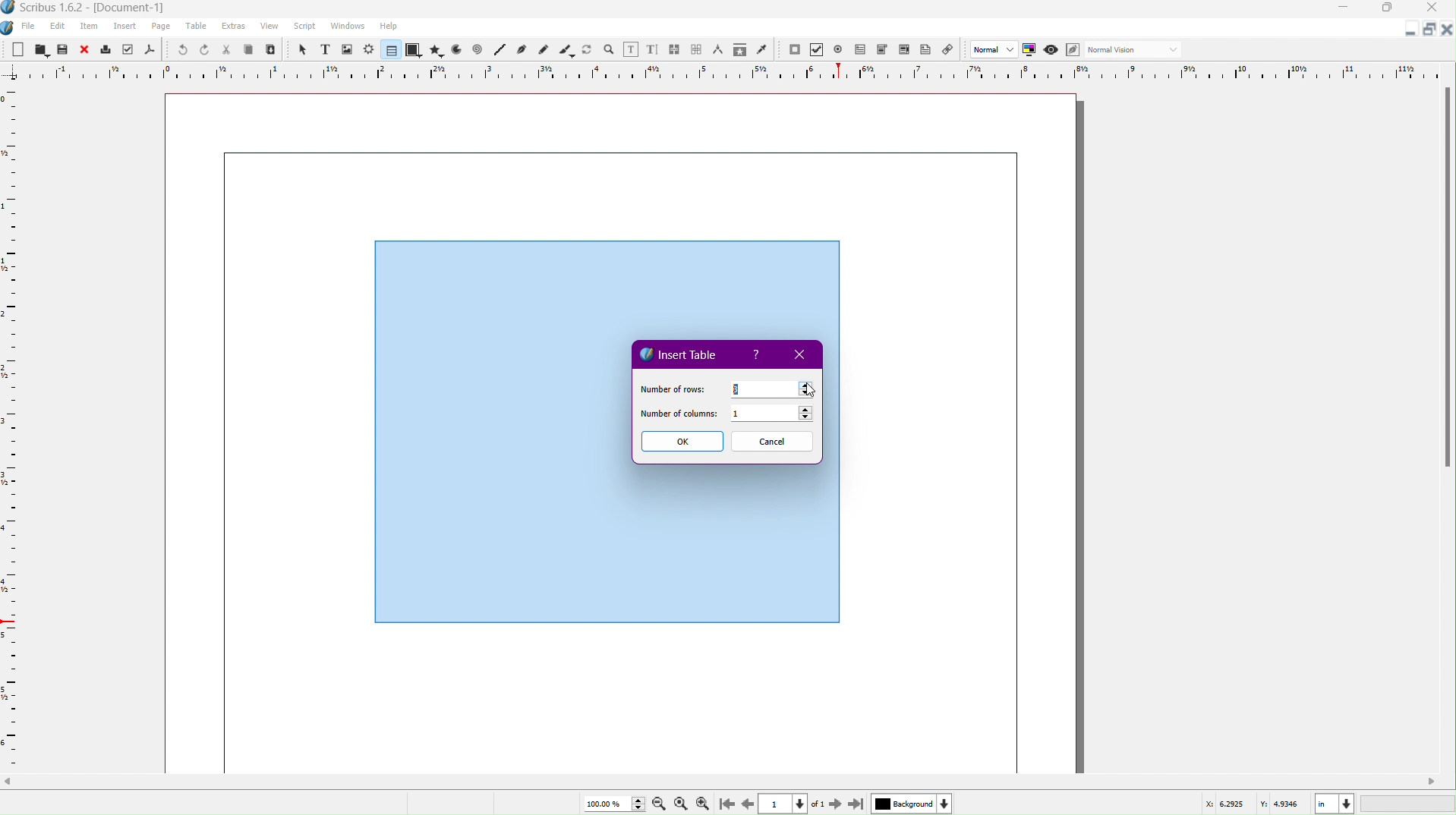  Describe the element at coordinates (785, 804) in the screenshot. I see `Page Number` at that location.